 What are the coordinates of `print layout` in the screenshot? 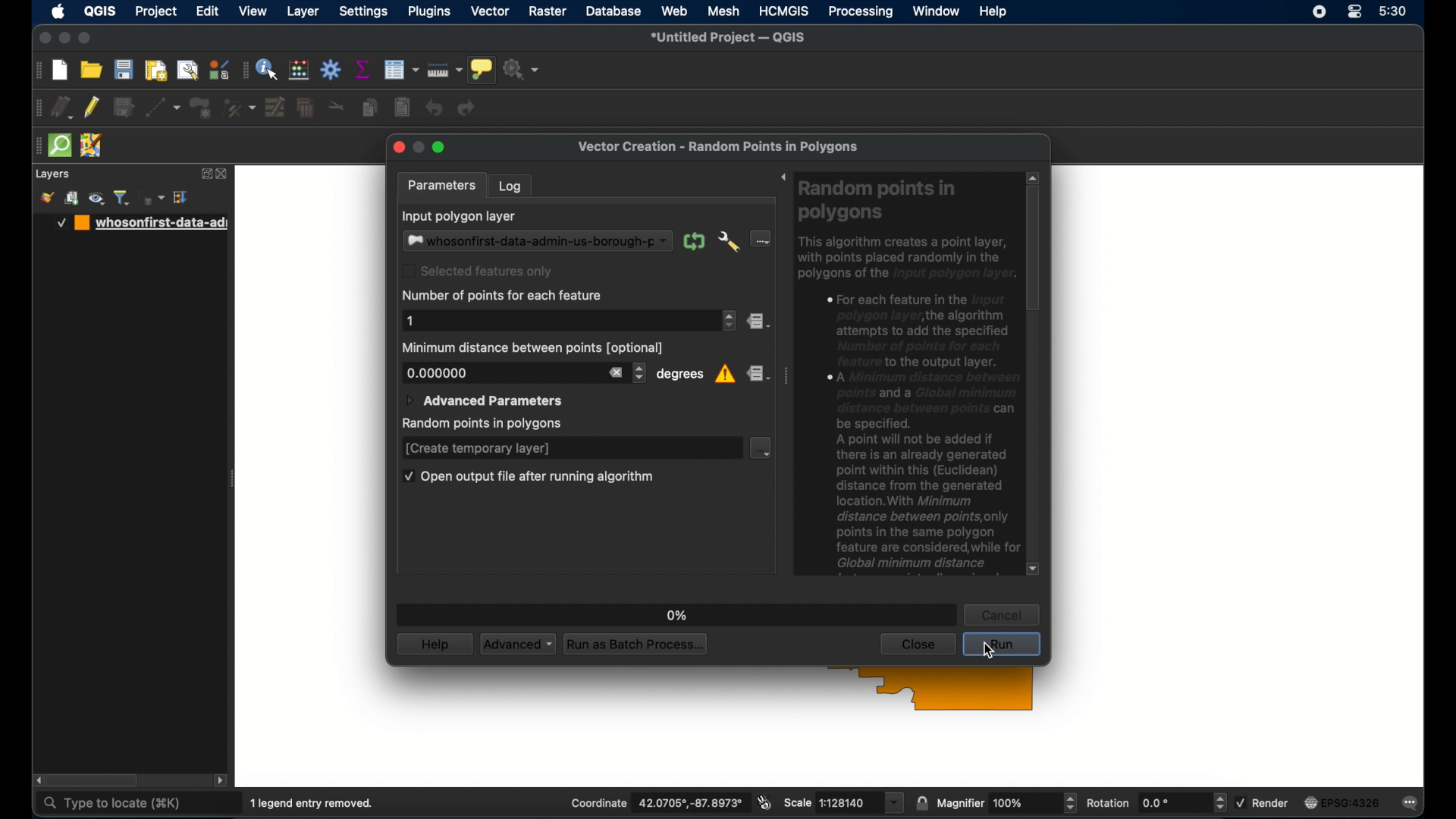 It's located at (155, 70).